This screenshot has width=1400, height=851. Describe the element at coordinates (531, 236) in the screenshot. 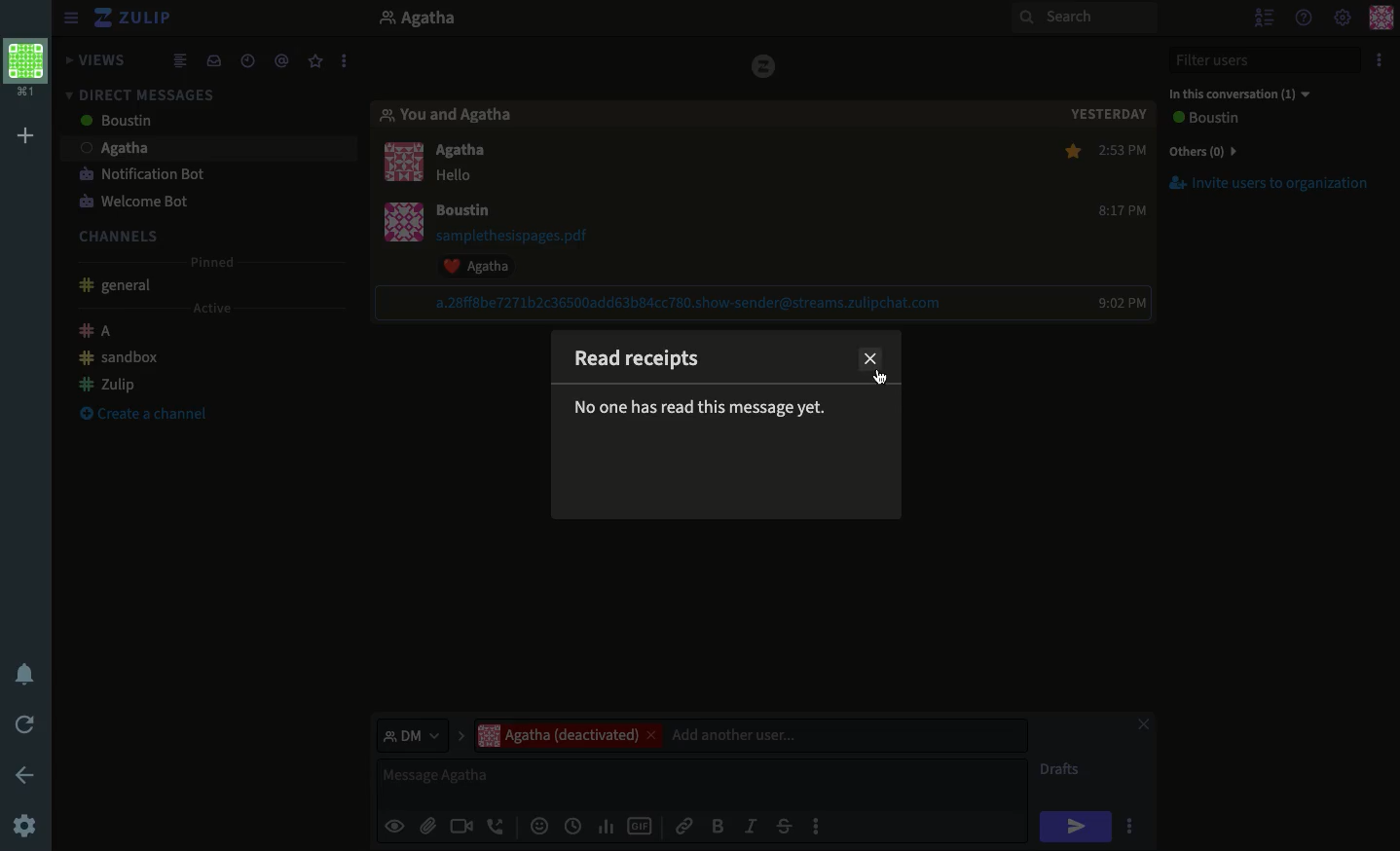

I see `PDF attachment` at that location.